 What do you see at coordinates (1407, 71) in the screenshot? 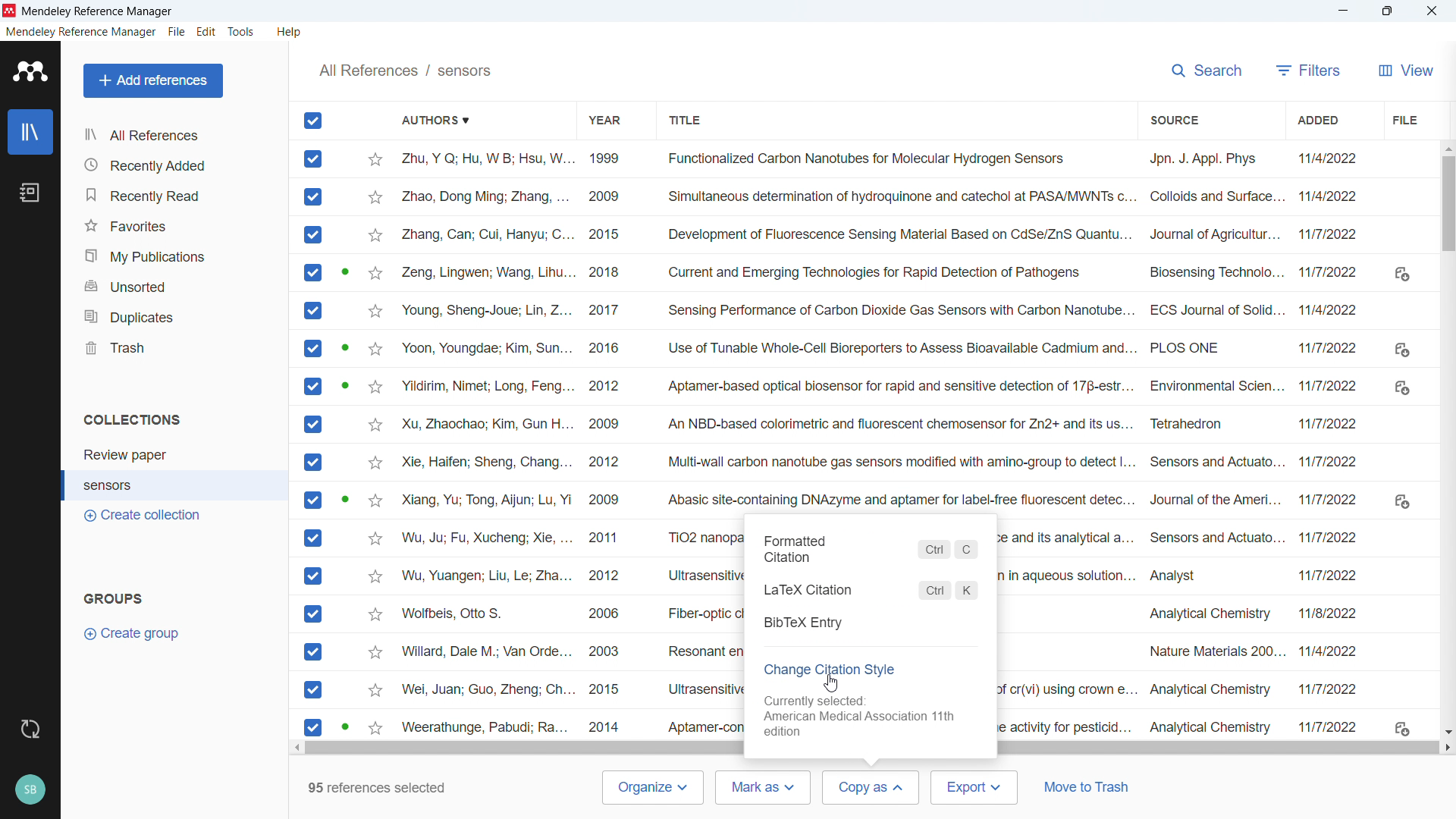
I see `View ` at bounding box center [1407, 71].